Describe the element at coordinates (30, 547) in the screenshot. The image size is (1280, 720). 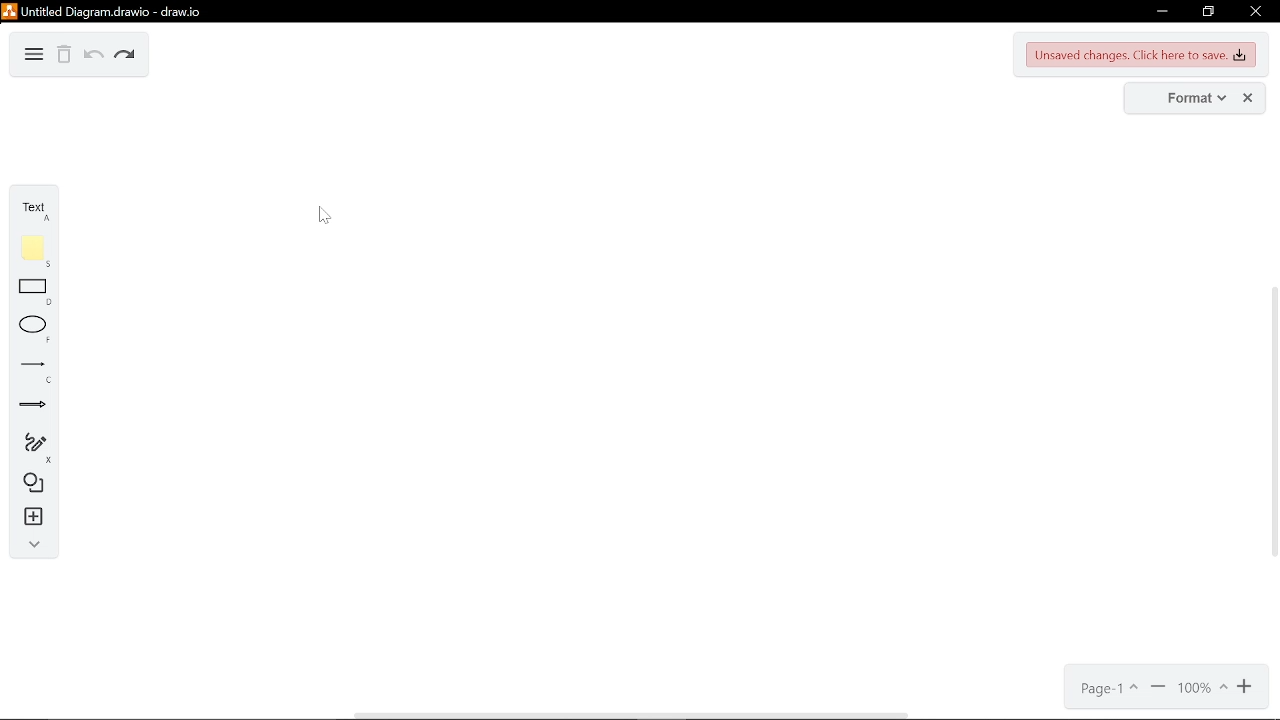
I see `collapse` at that location.